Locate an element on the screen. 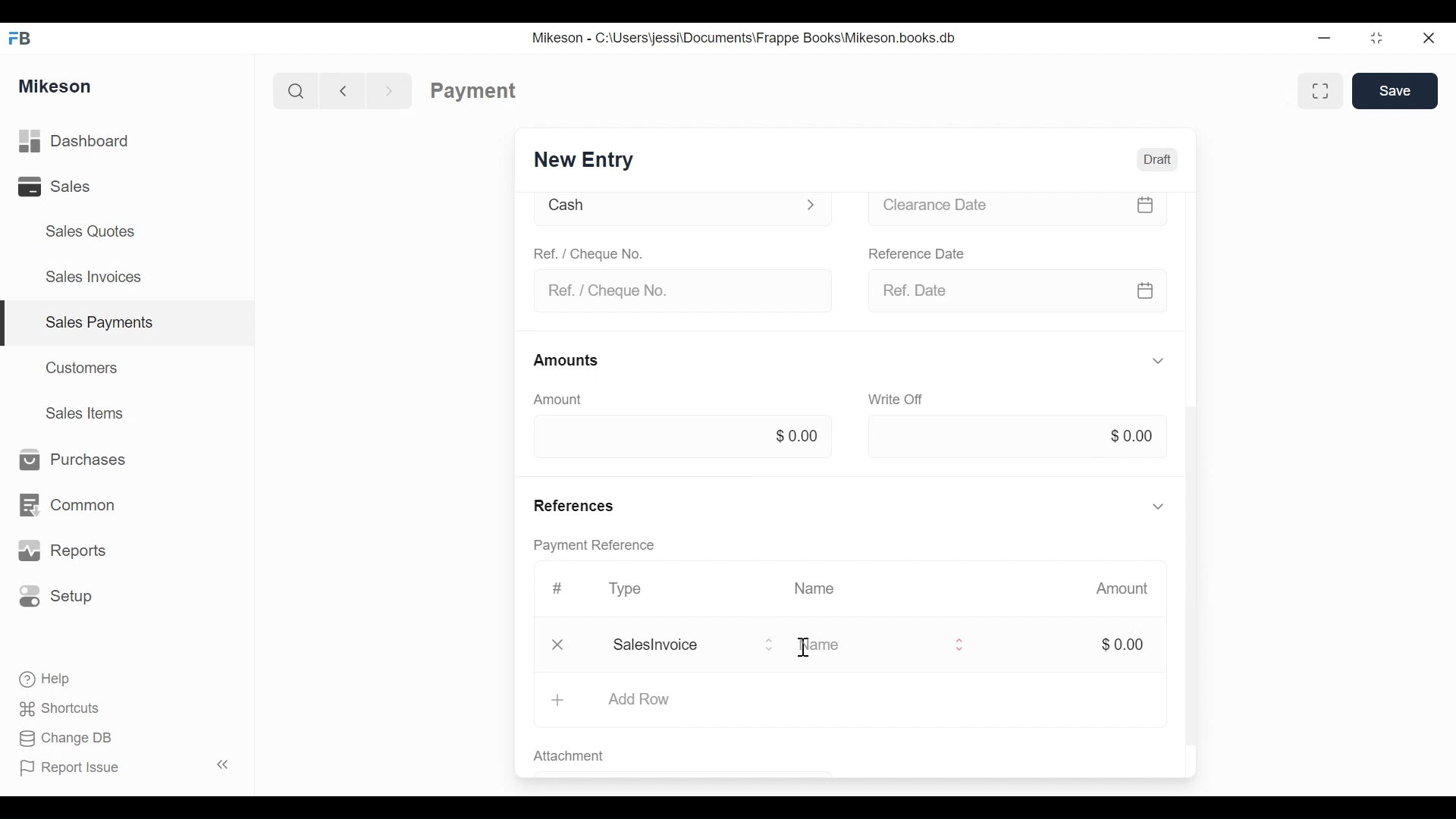 The width and height of the screenshot is (1456, 819). Full width toggle is located at coordinates (1318, 92).